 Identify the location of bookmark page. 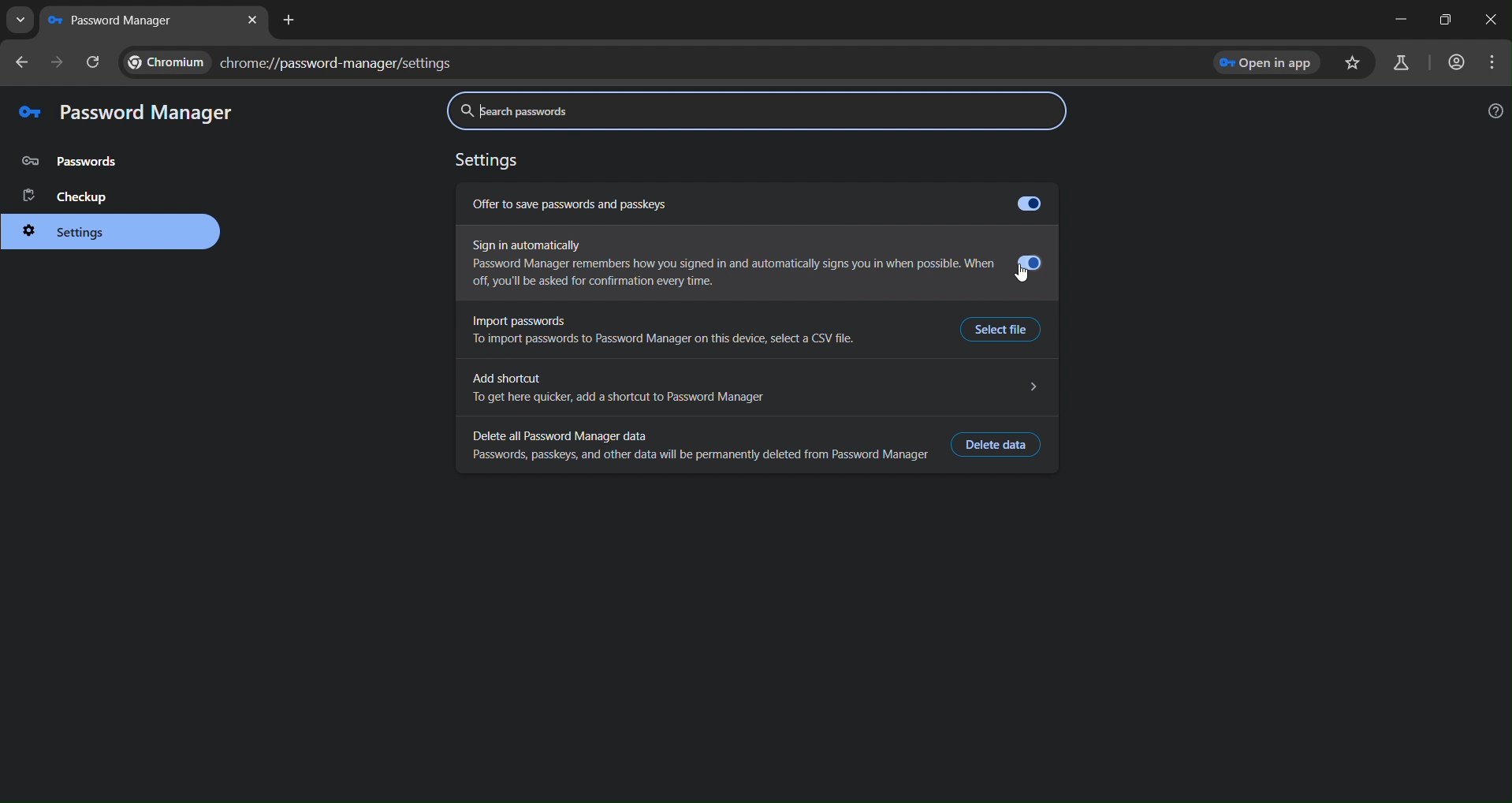
(1355, 63).